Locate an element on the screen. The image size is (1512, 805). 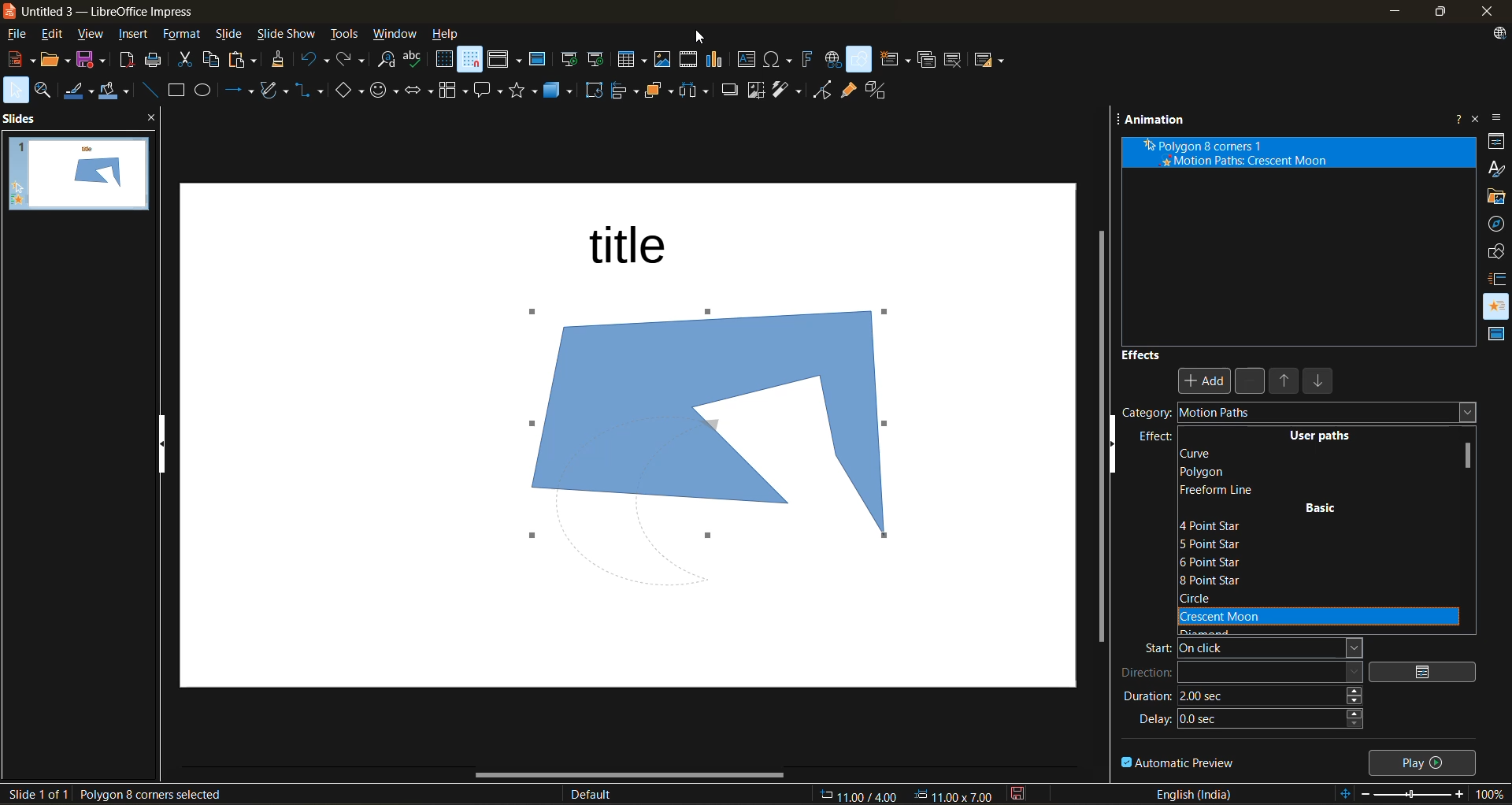
sidebar settings is located at coordinates (1501, 117).